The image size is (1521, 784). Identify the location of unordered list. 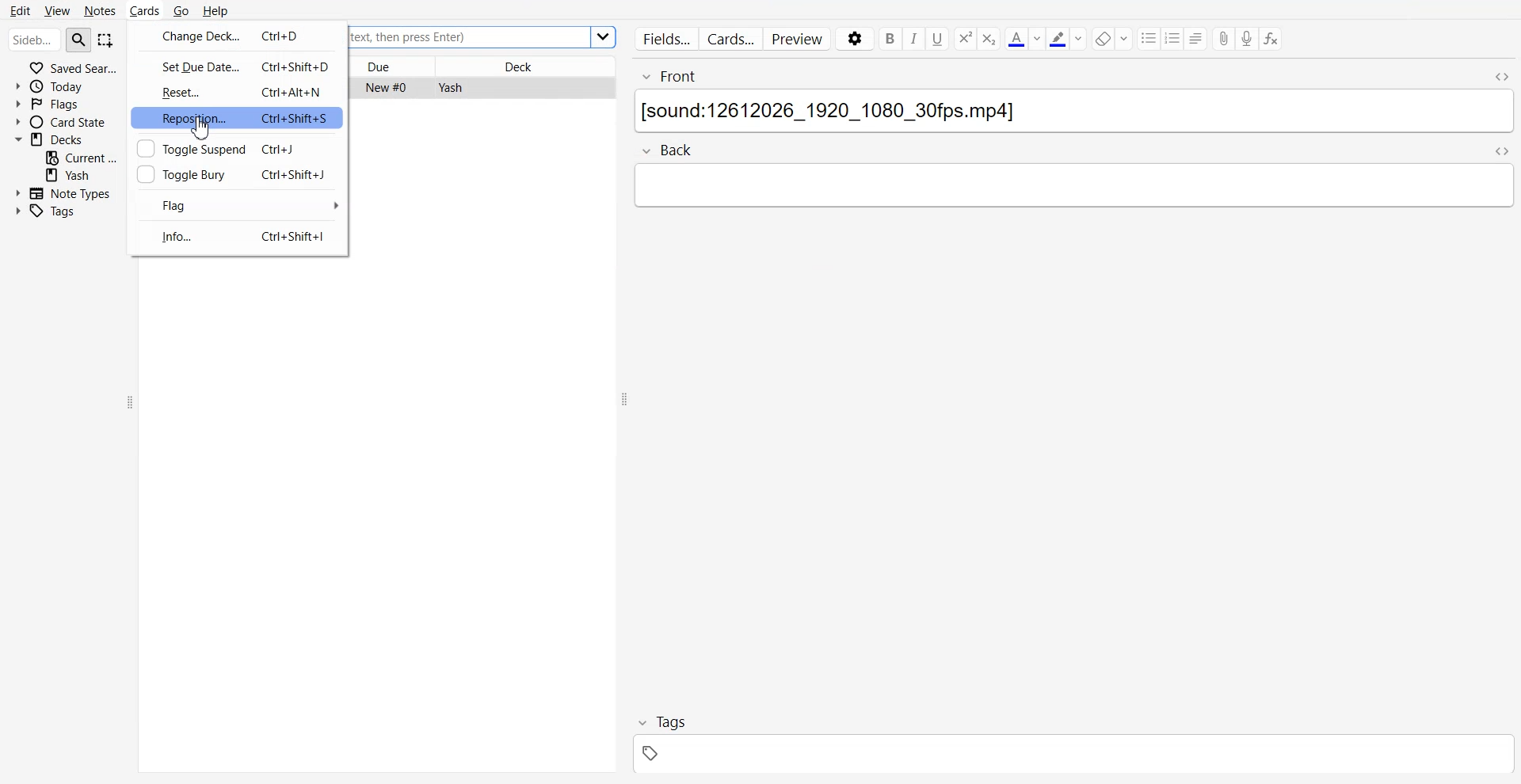
(1149, 38).